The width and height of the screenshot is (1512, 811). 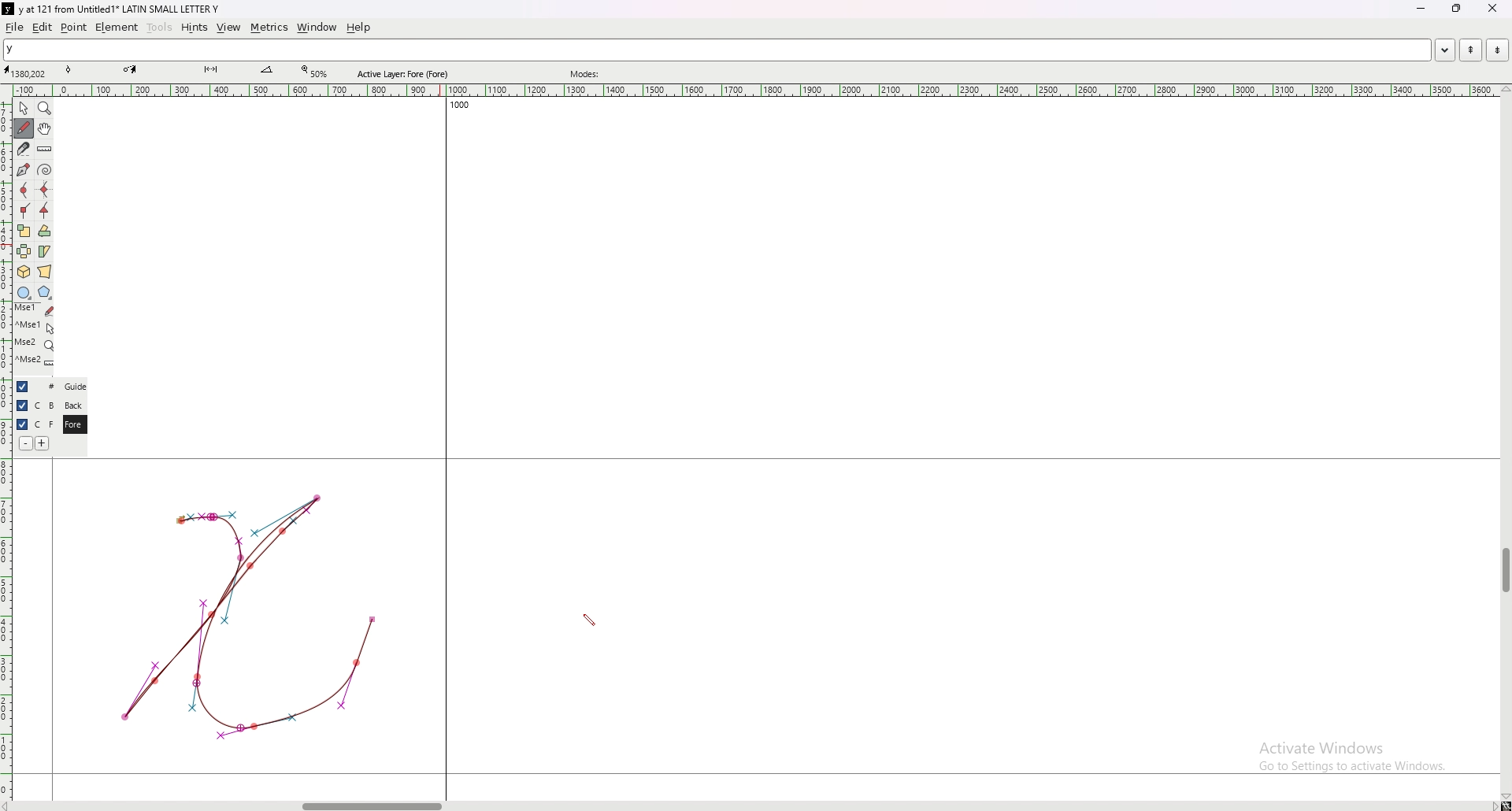 What do you see at coordinates (1503, 90) in the screenshot?
I see `scroll up` at bounding box center [1503, 90].